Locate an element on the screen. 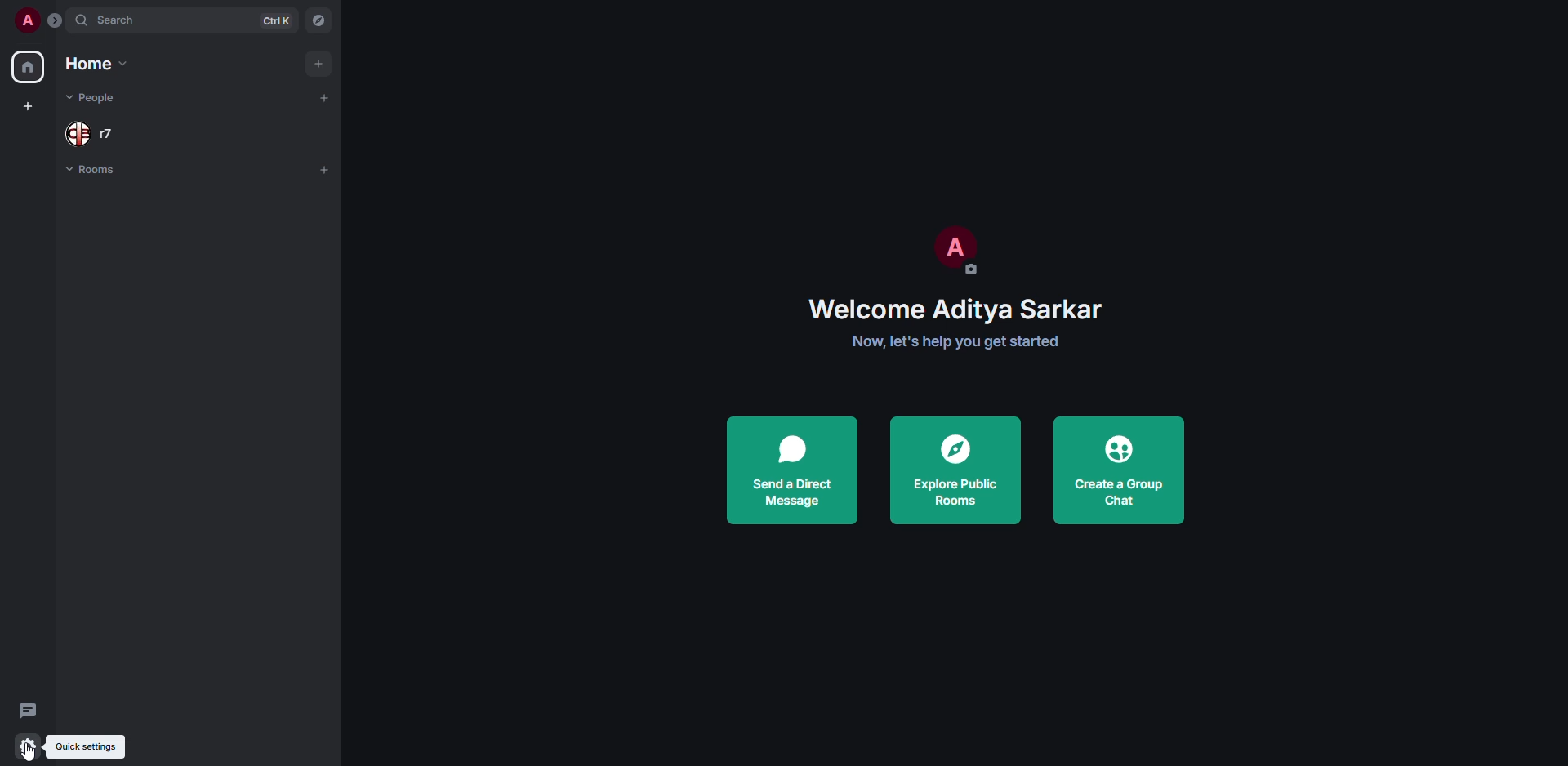 The image size is (1568, 766). rooms is located at coordinates (96, 170).